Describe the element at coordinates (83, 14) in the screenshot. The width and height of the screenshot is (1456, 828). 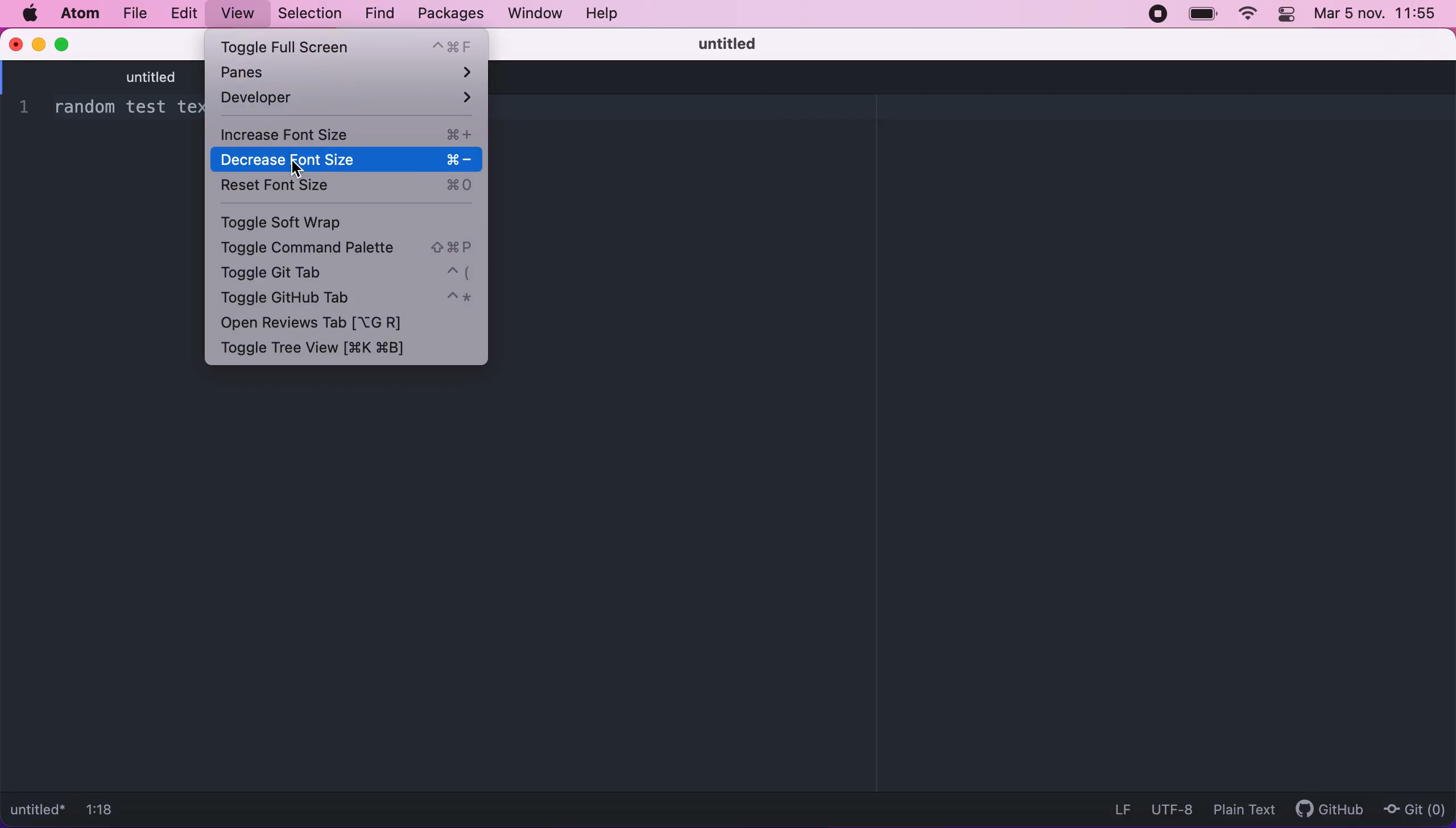
I see `atom` at that location.